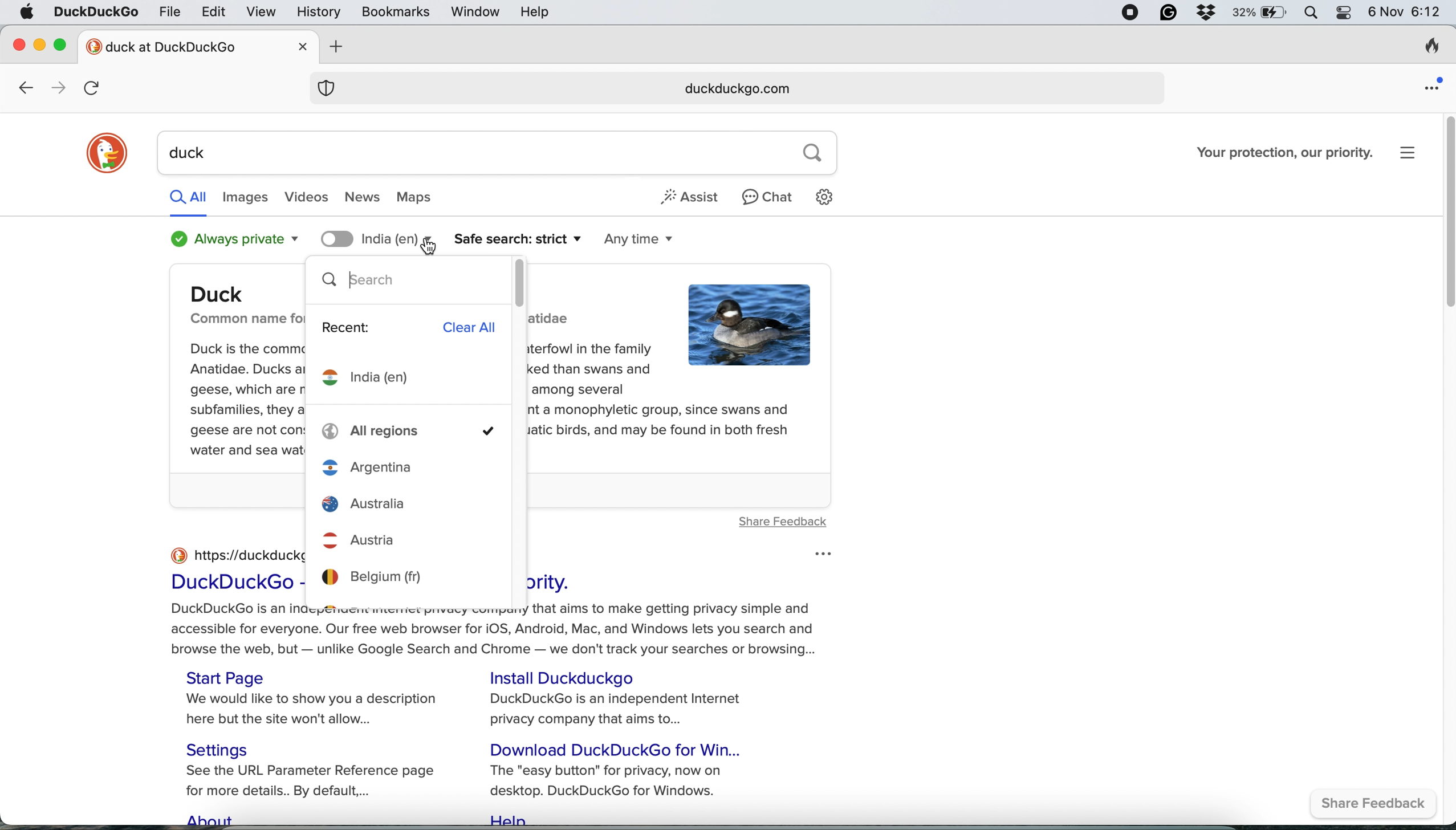  I want to click on See the URL Parameter Reference page
for more details.. By default,..., so click(319, 782).